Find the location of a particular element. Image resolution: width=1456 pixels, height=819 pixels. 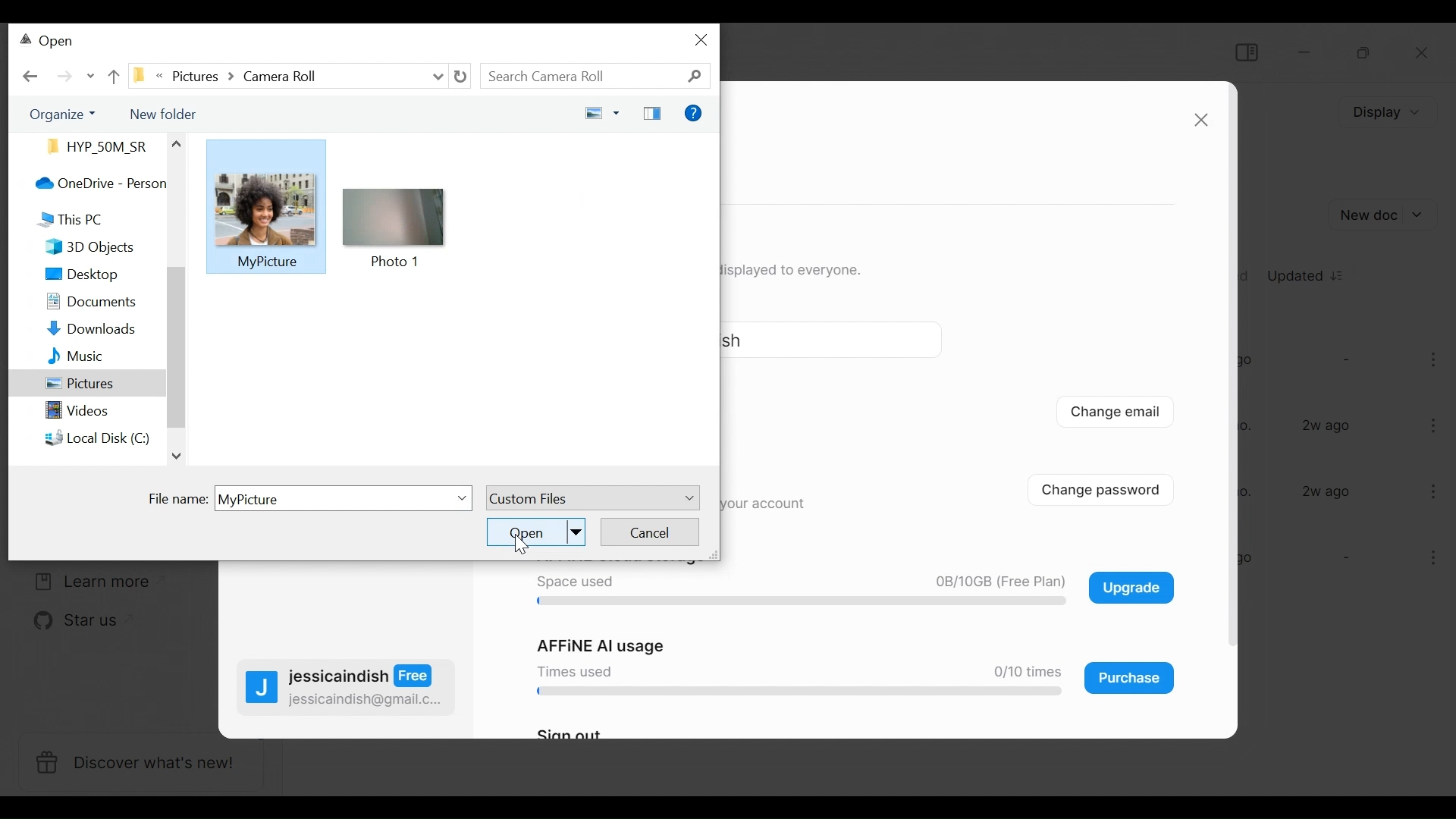

Learn more is located at coordinates (87, 582).